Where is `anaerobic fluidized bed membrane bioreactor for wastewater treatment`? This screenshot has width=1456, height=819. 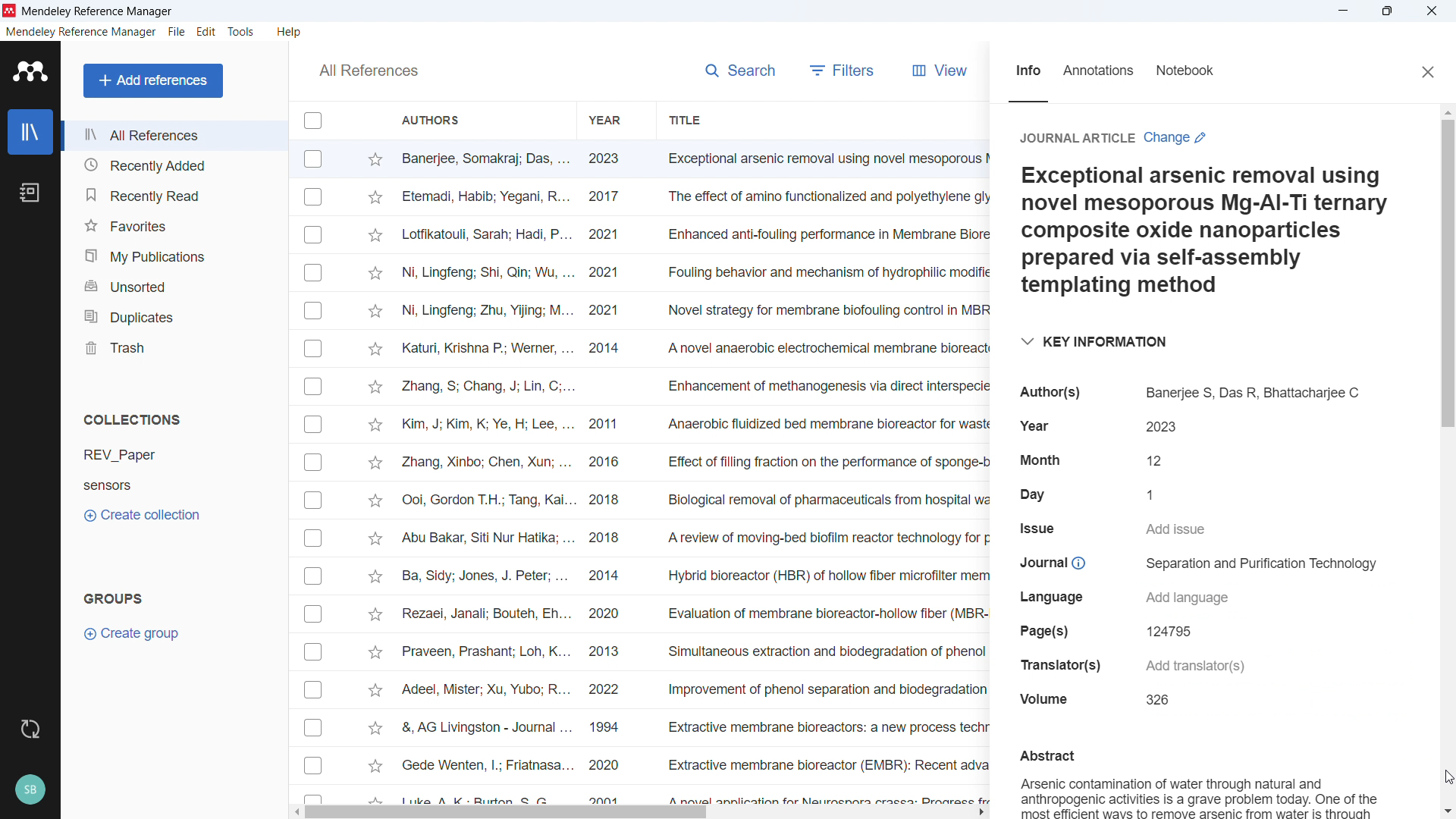
anaerobic fluidized bed membrane bioreactor for wastewater treatment is located at coordinates (825, 424).